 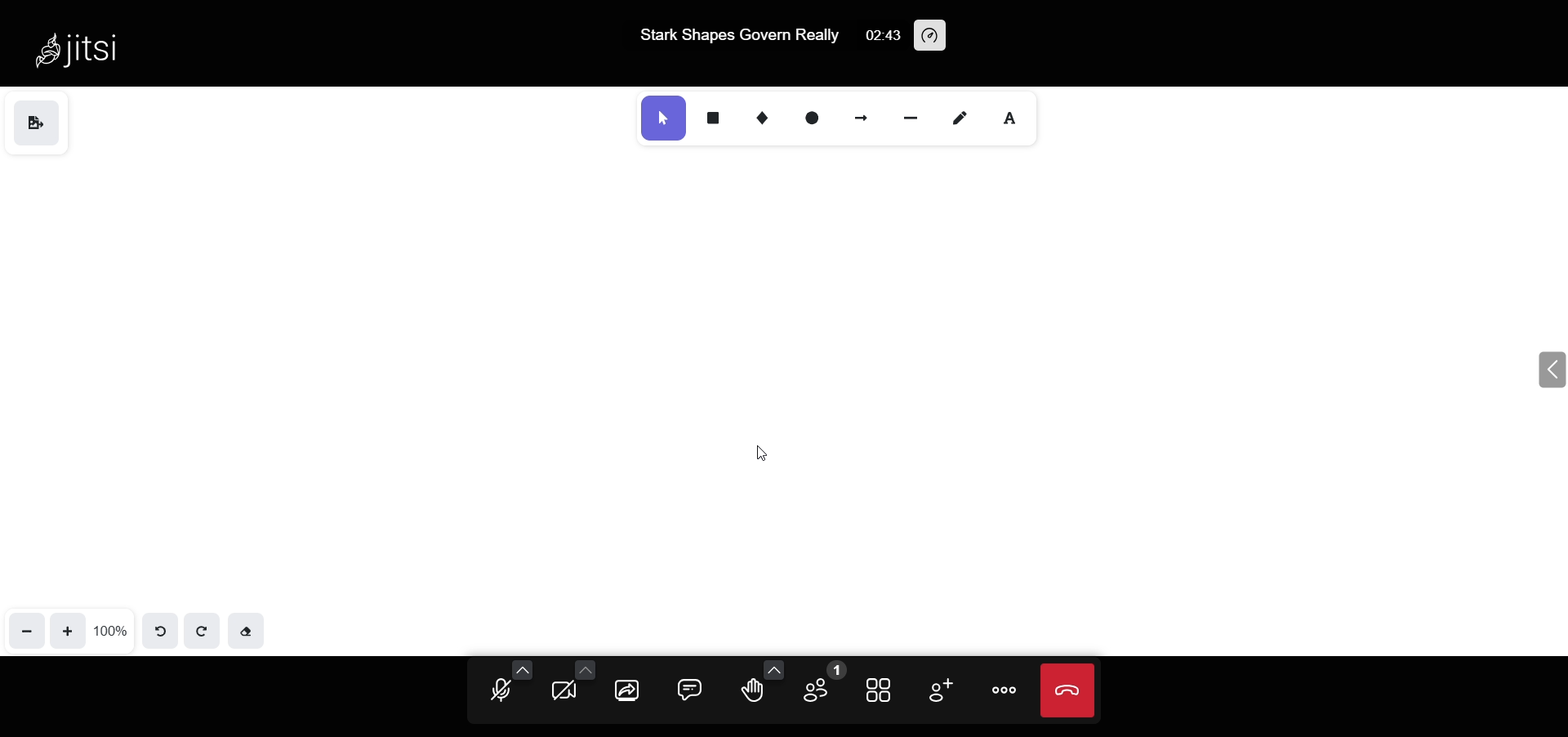 I want to click on arrow, so click(x=862, y=116).